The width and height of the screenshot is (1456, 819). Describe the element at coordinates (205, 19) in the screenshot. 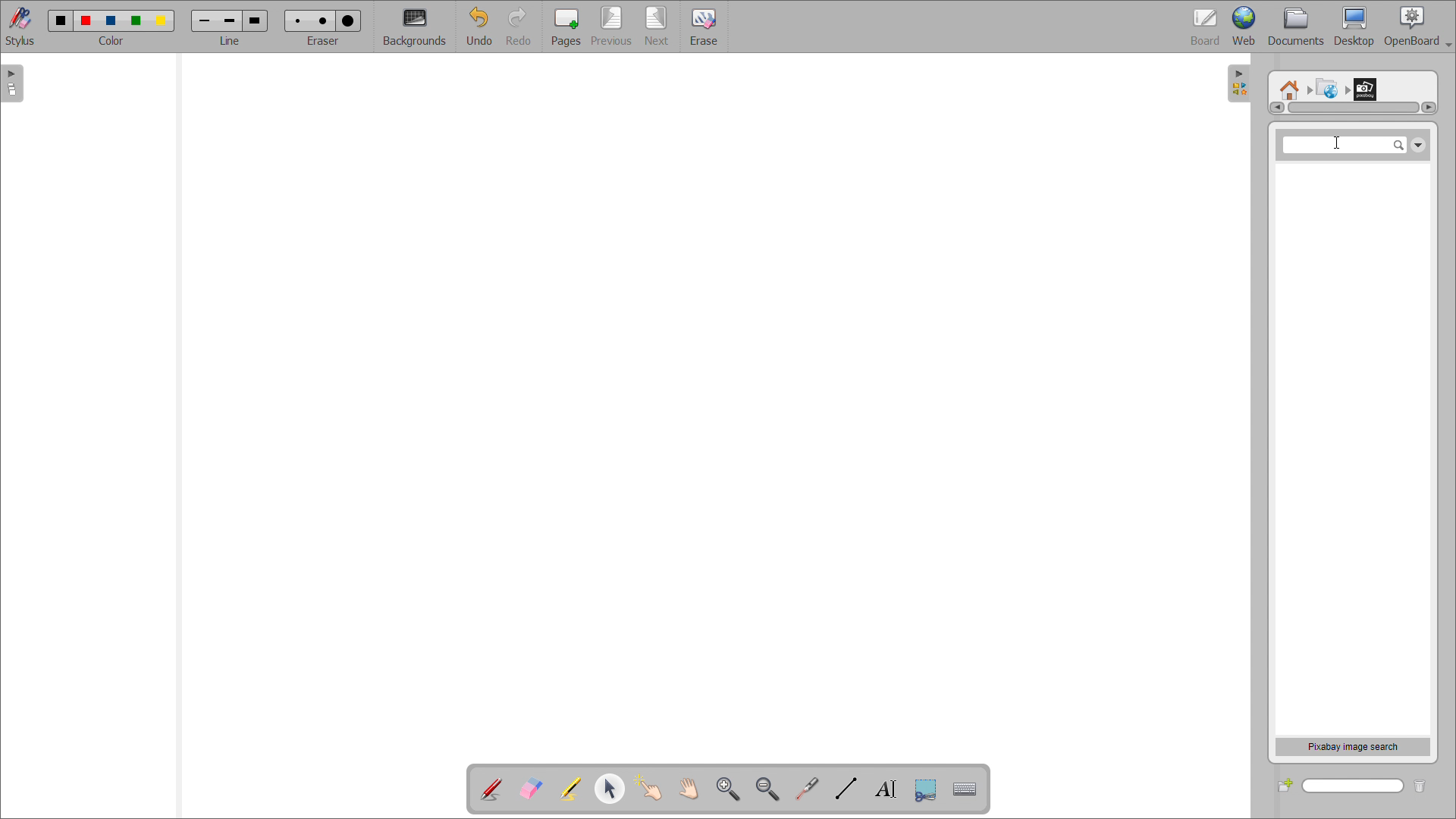

I see `Small line` at that location.